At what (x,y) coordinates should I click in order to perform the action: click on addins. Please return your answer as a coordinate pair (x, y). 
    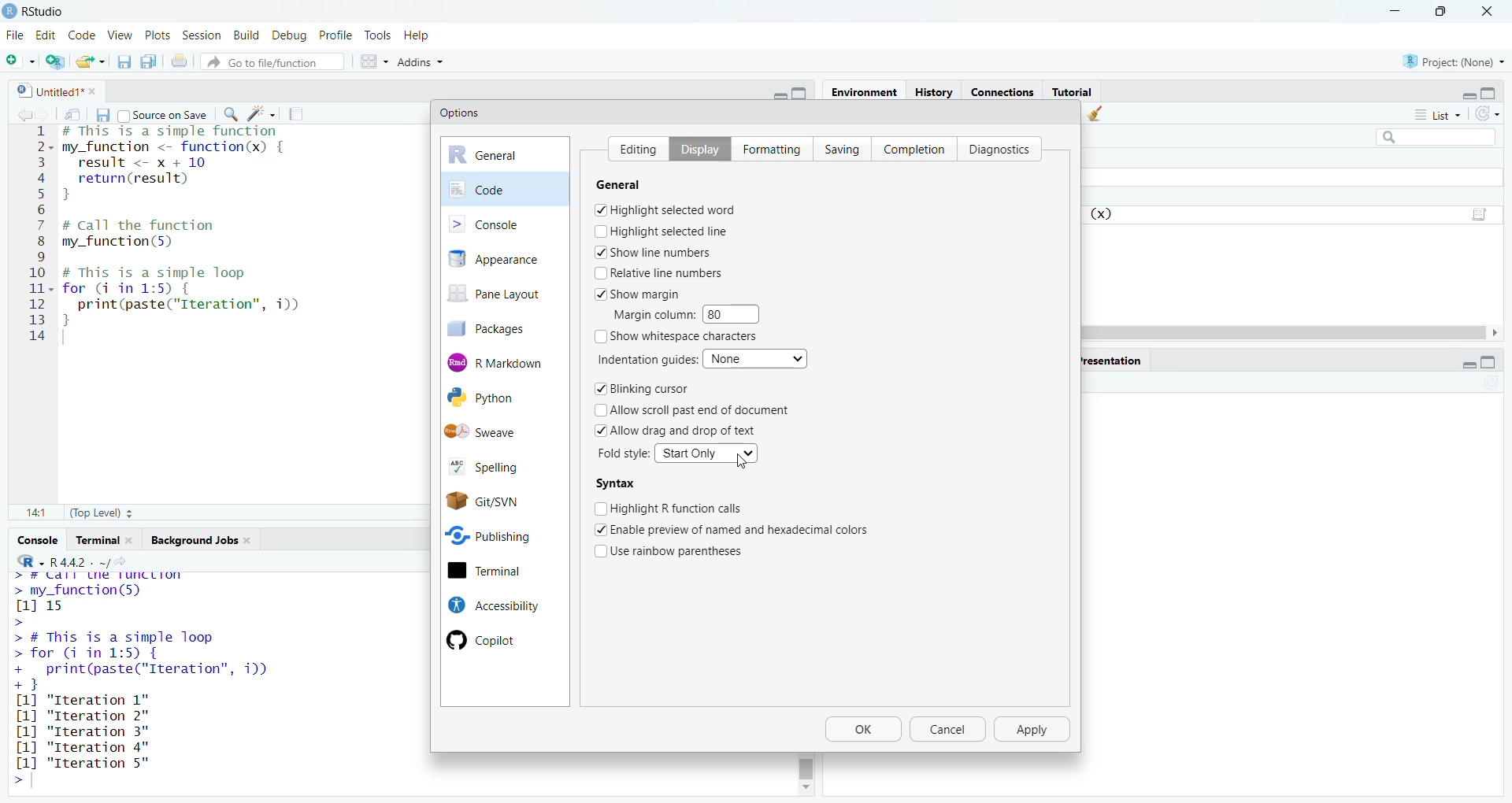
    Looking at the image, I should click on (421, 61).